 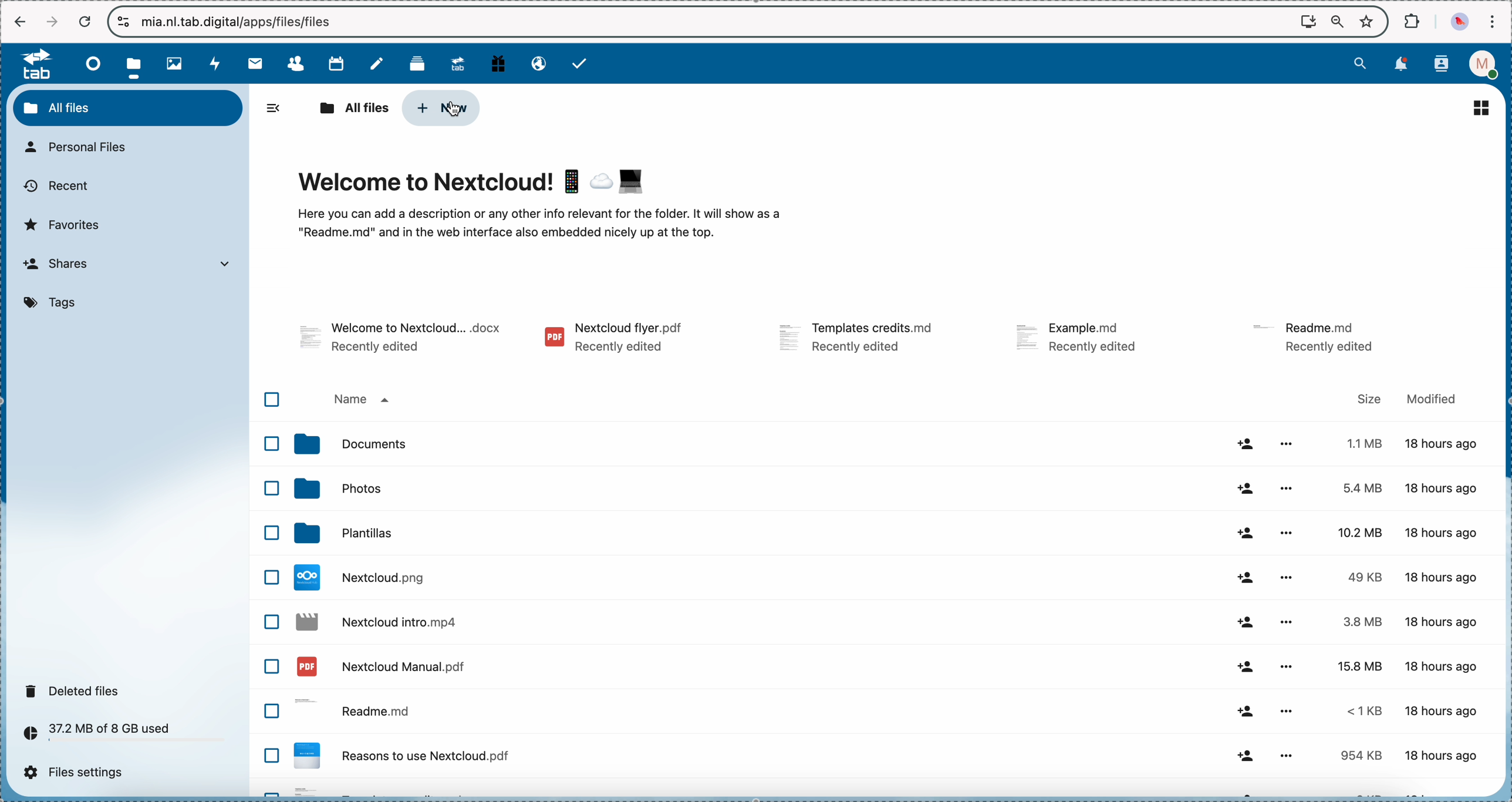 What do you see at coordinates (1487, 65) in the screenshot?
I see `profile` at bounding box center [1487, 65].